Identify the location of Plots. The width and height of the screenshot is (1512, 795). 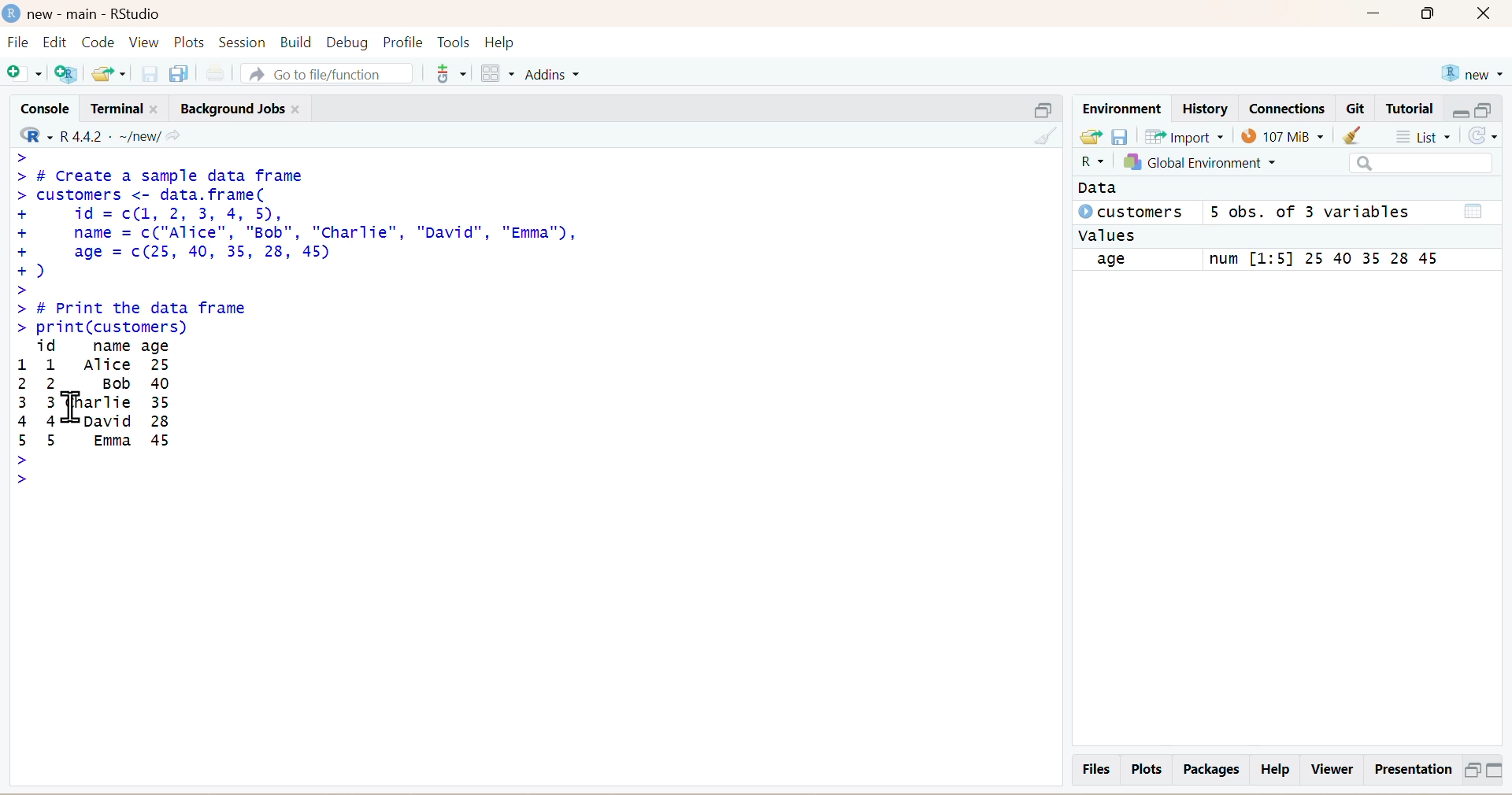
(191, 42).